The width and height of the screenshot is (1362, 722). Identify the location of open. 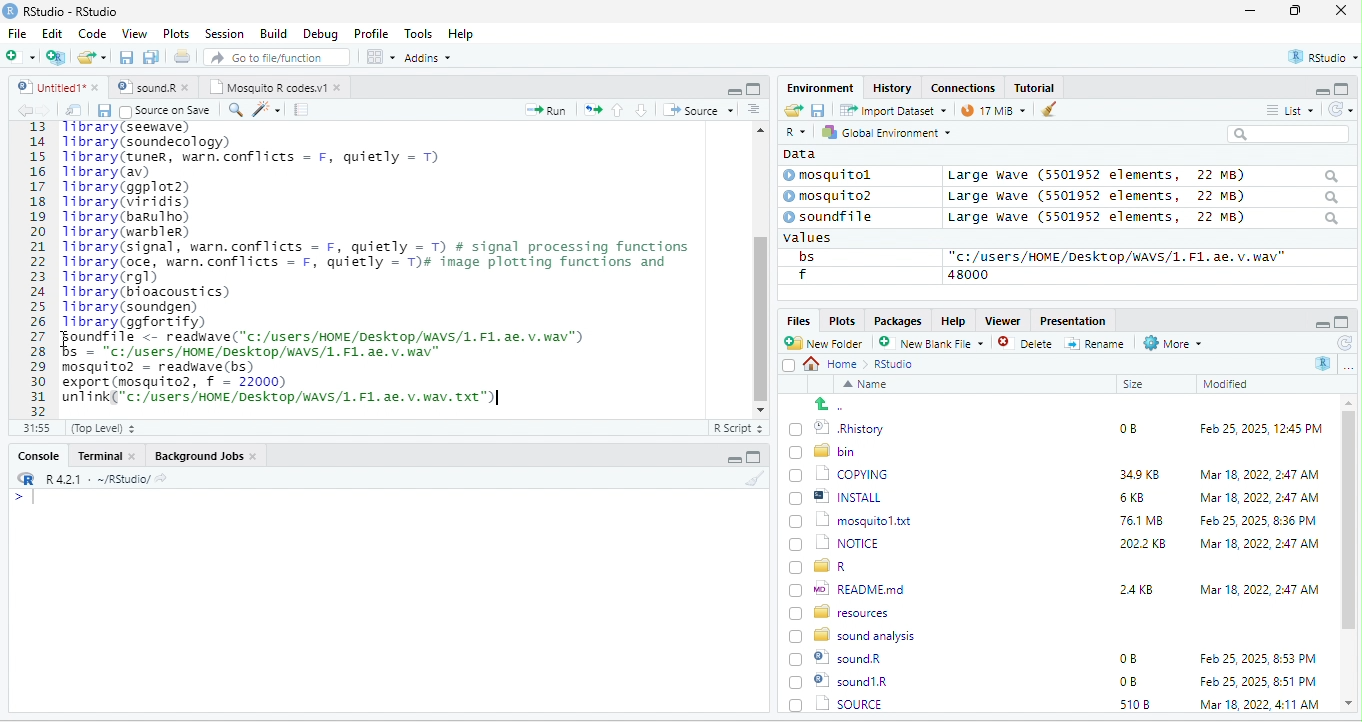
(74, 110).